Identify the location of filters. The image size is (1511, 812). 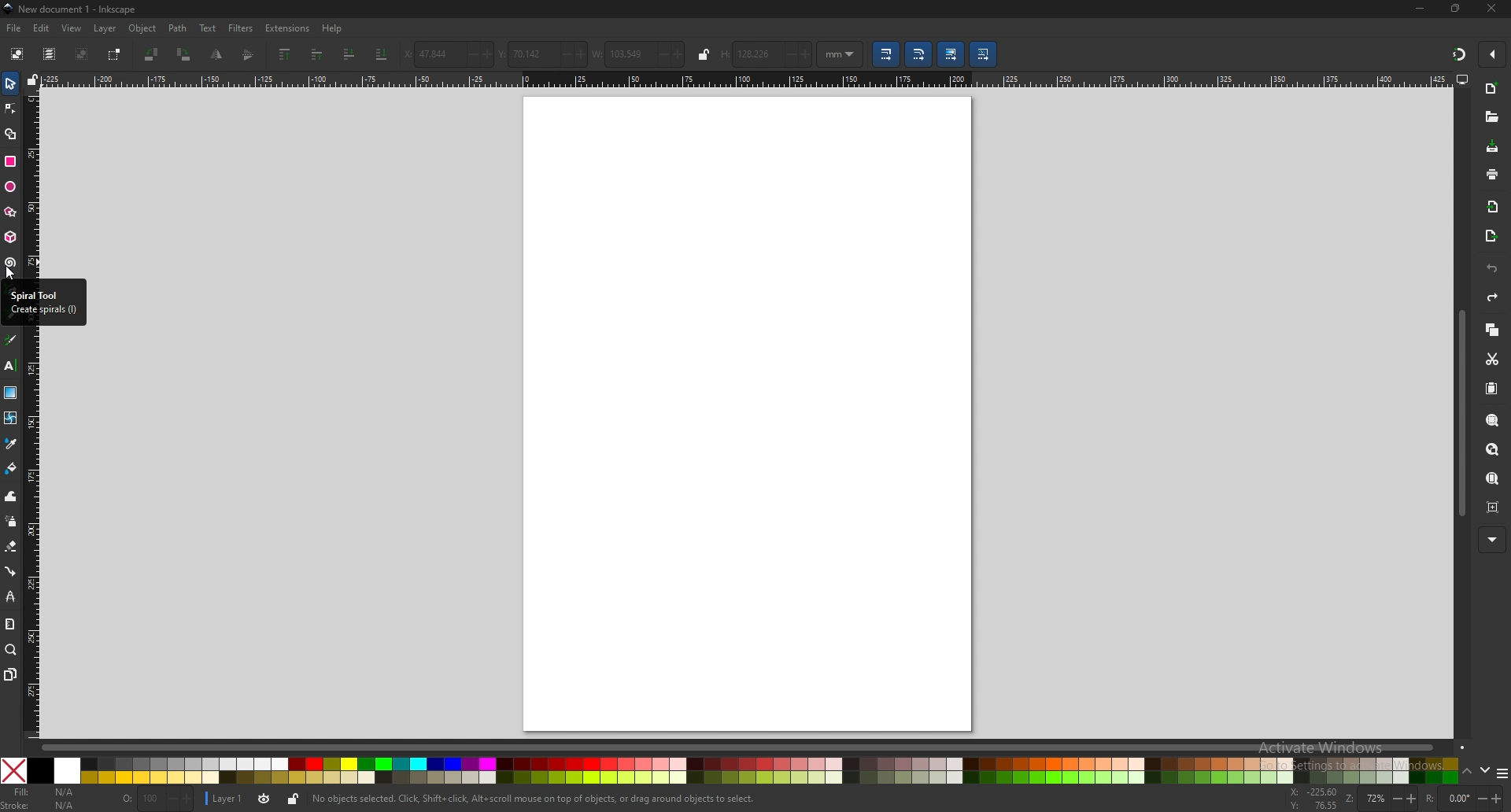
(242, 28).